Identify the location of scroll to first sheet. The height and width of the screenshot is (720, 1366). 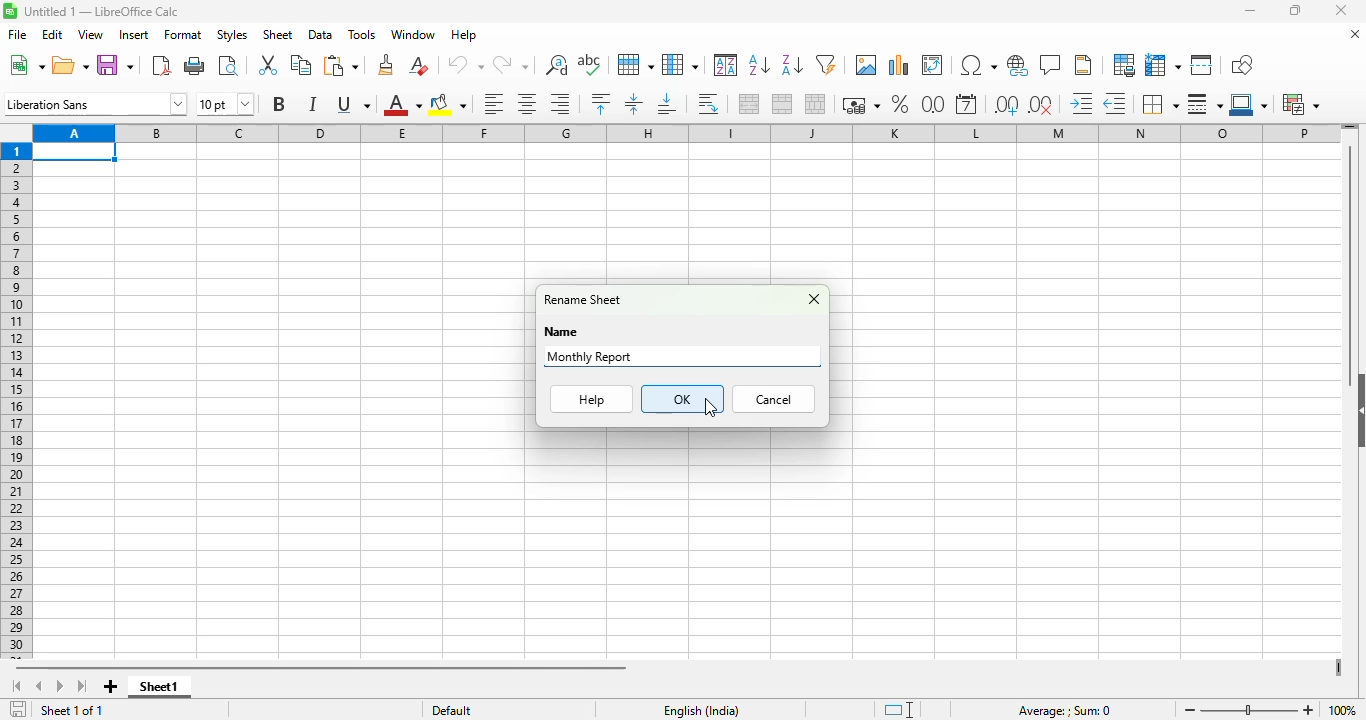
(18, 686).